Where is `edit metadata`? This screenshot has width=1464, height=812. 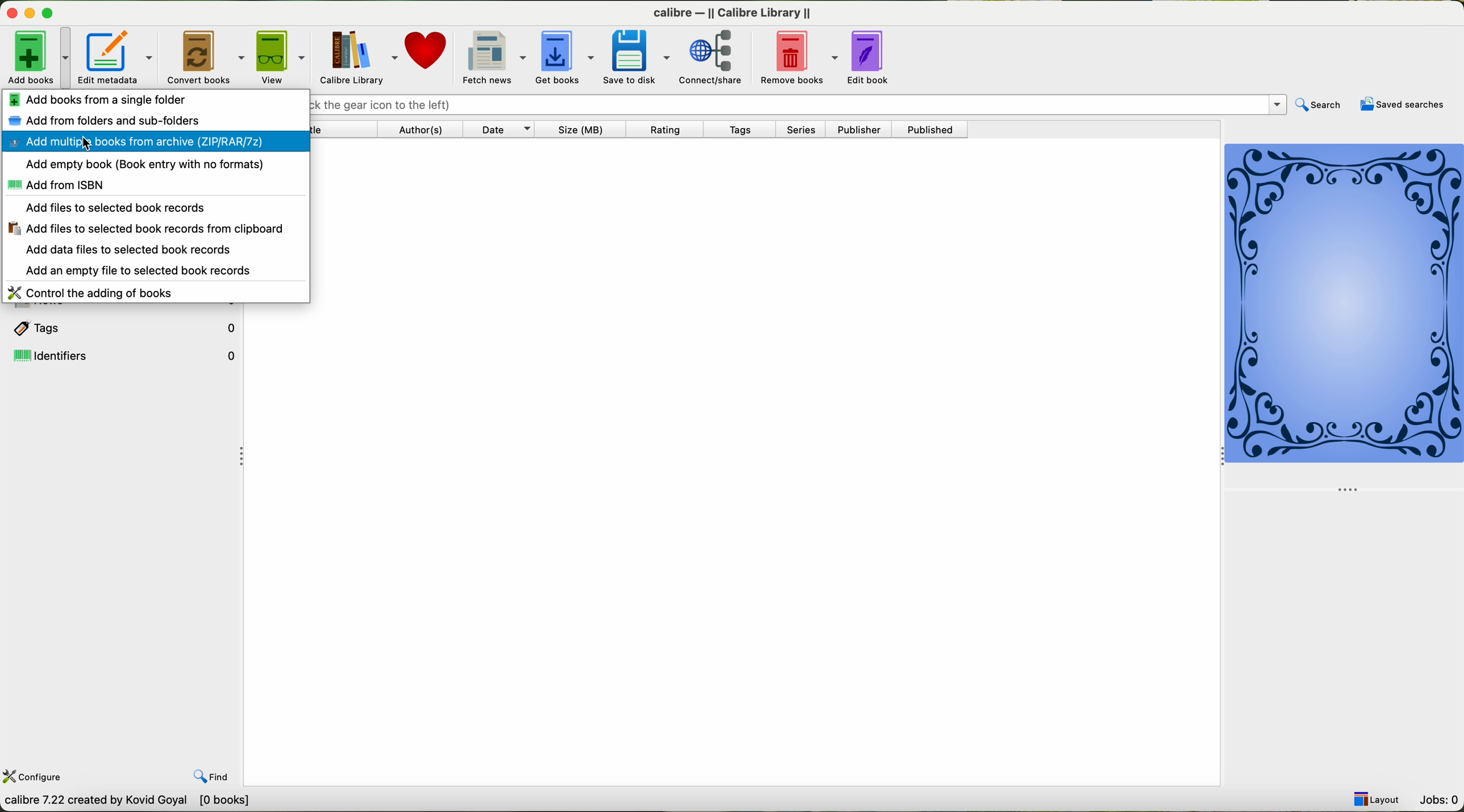 edit metadata is located at coordinates (115, 56).